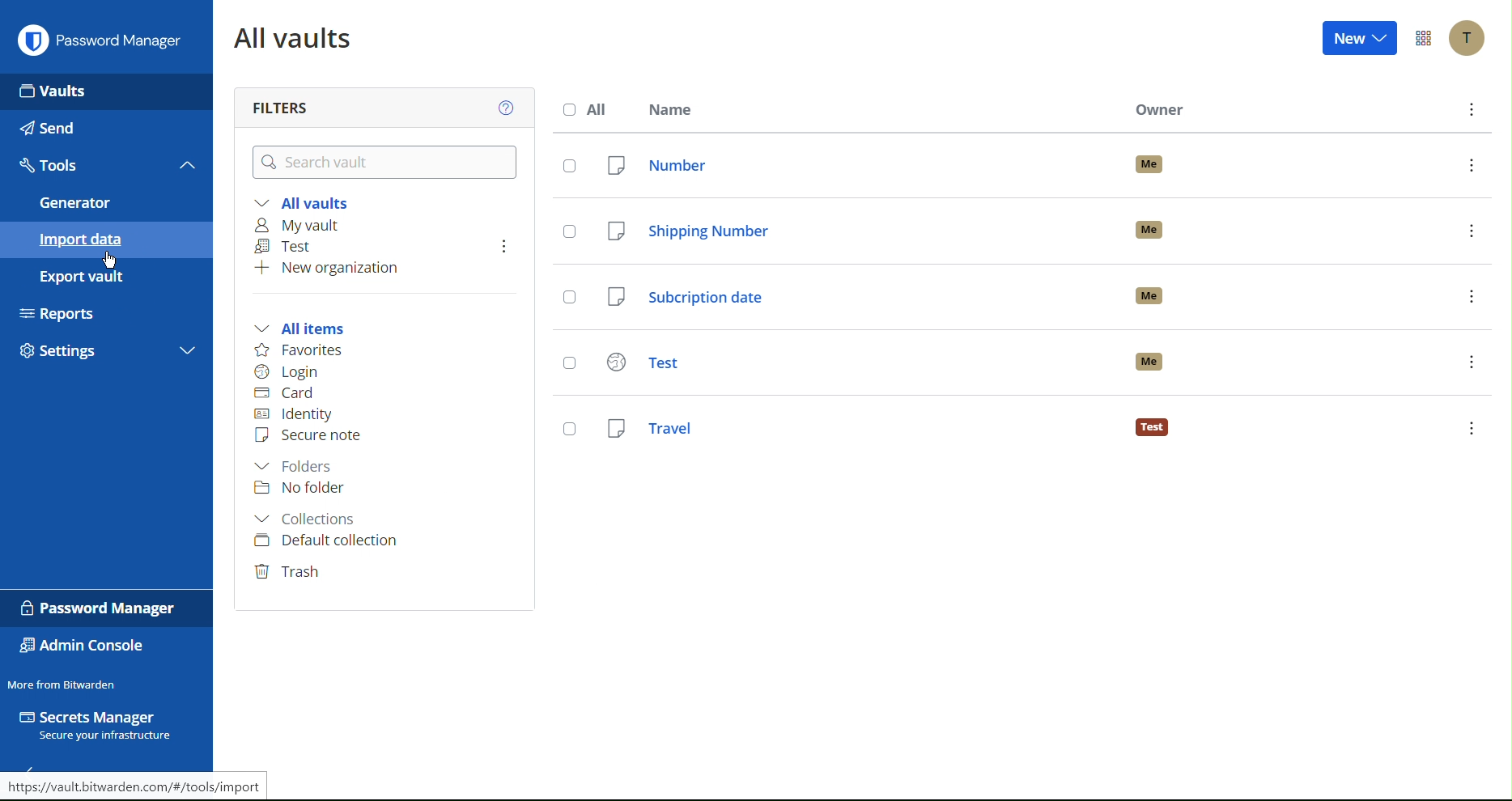  I want to click on Identity, so click(295, 414).